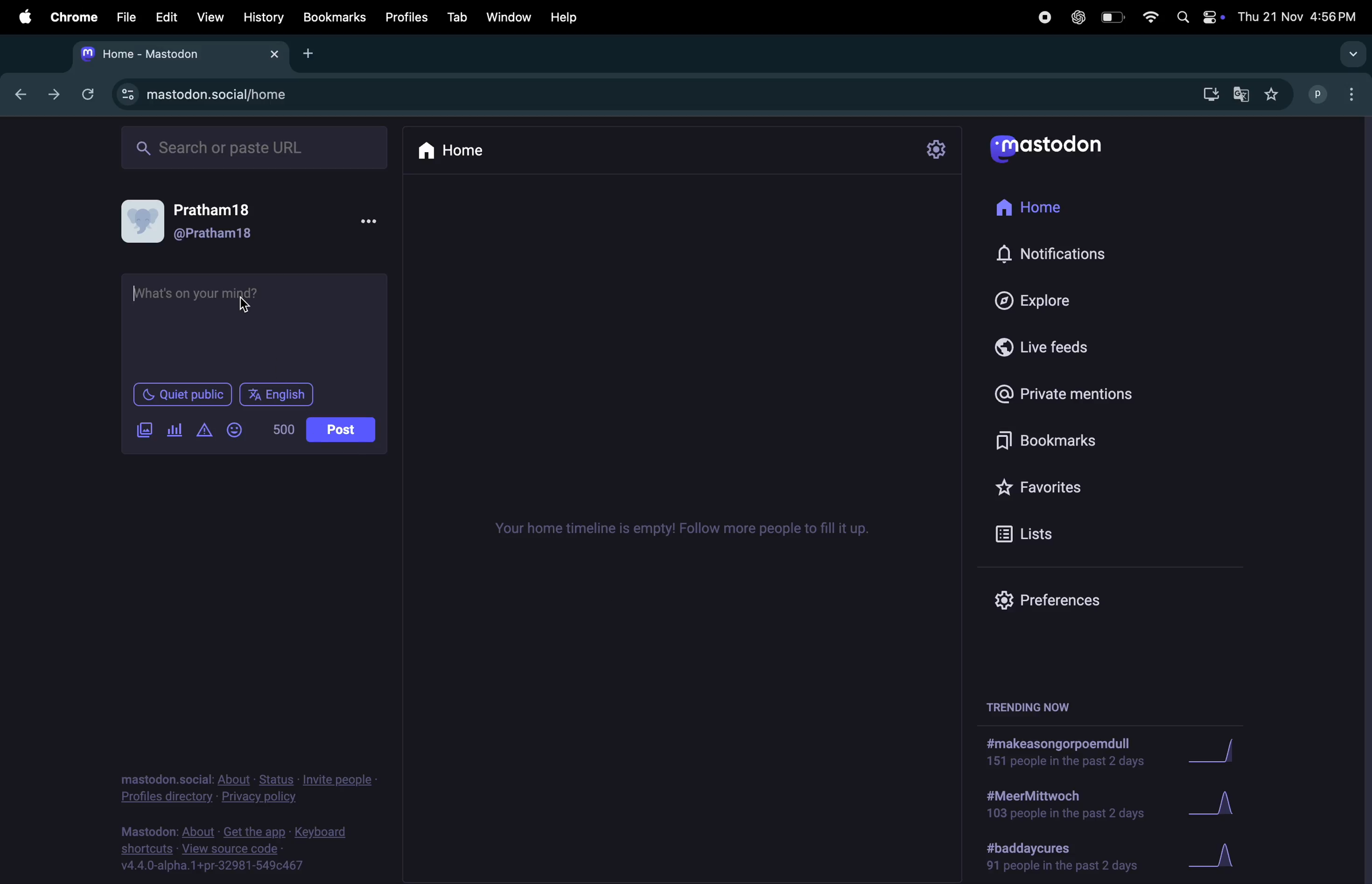 The height and width of the screenshot is (884, 1372). I want to click on home, so click(458, 151).